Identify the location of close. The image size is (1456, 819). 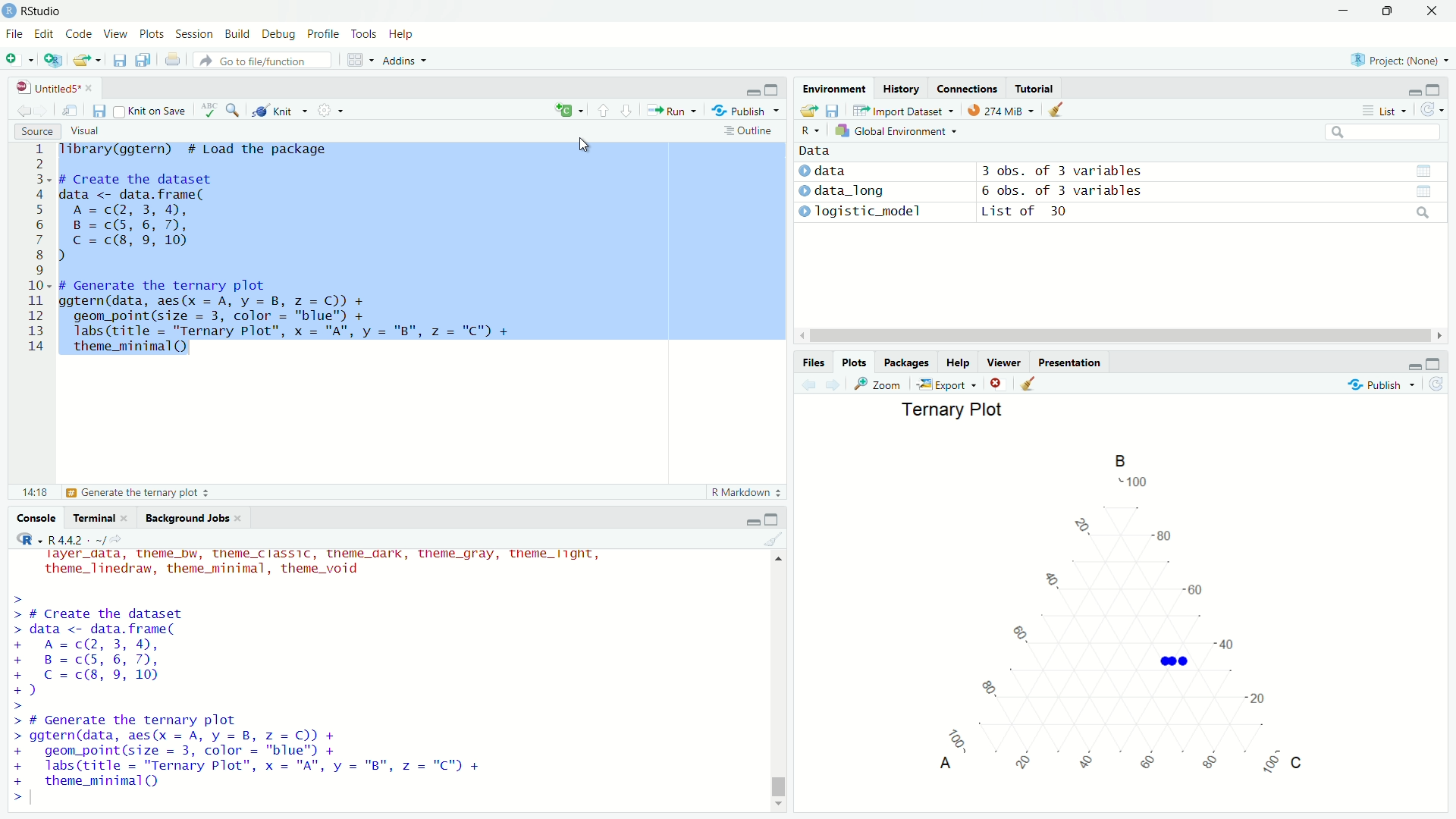
(1432, 13).